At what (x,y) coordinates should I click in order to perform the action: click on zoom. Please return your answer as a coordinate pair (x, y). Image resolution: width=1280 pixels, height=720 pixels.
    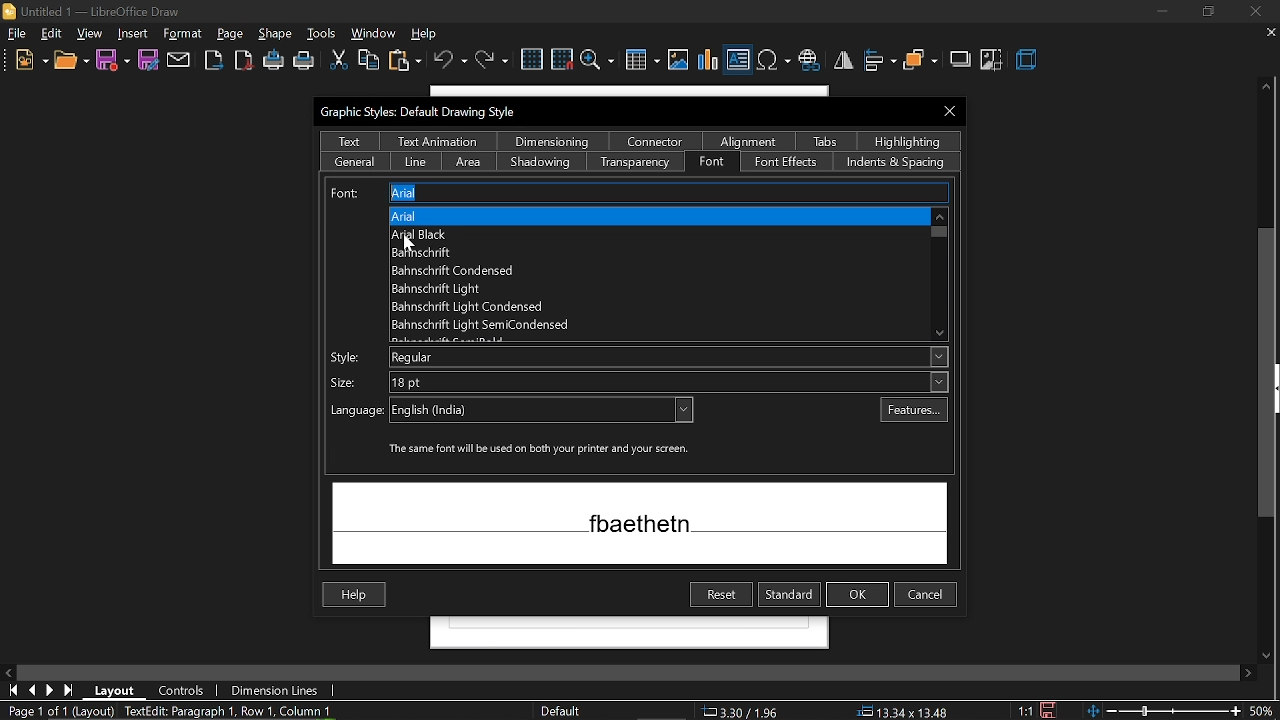
    Looking at the image, I should click on (598, 59).